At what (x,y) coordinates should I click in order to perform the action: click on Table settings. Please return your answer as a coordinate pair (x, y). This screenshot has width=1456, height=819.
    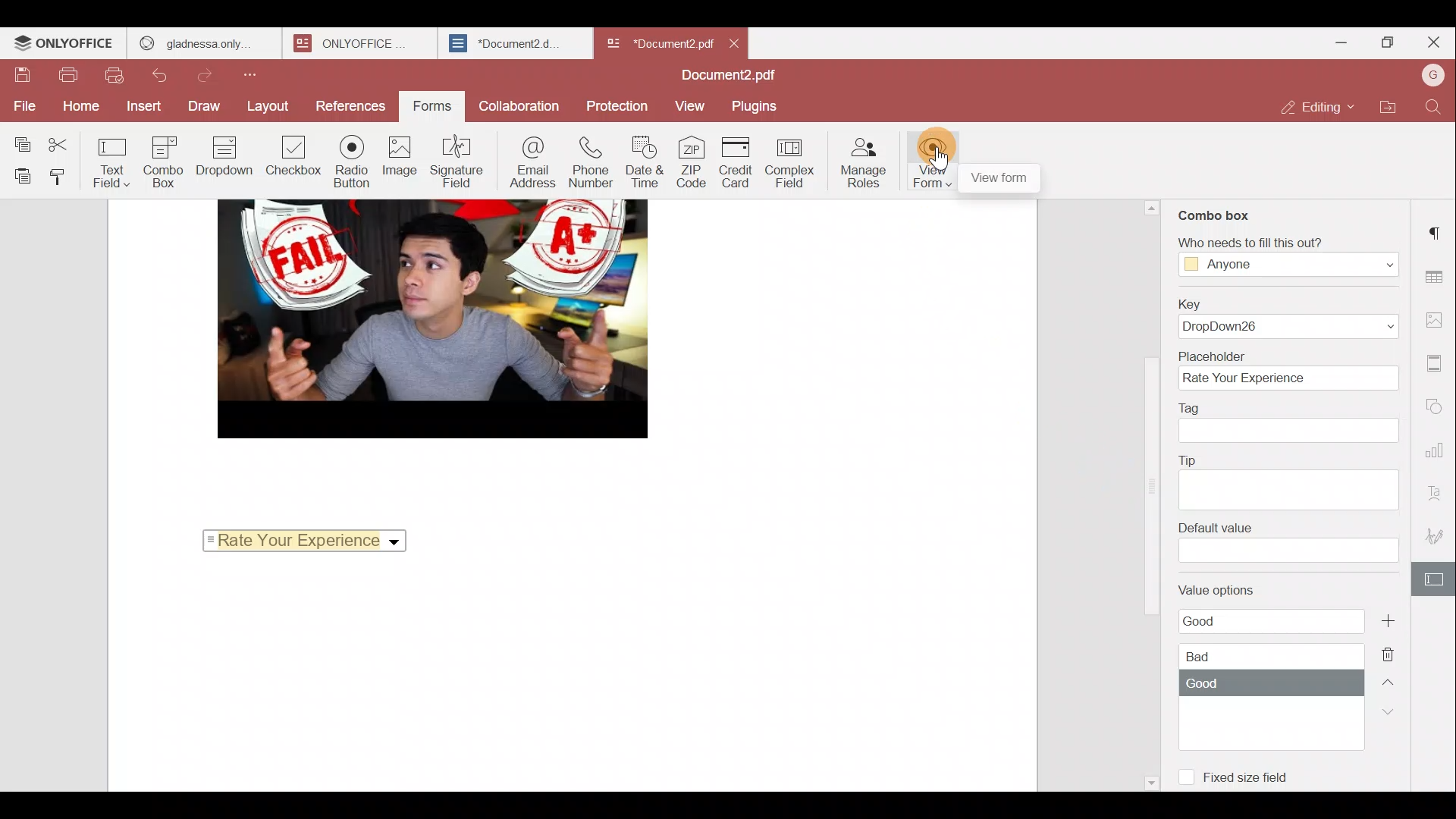
    Looking at the image, I should click on (1439, 277).